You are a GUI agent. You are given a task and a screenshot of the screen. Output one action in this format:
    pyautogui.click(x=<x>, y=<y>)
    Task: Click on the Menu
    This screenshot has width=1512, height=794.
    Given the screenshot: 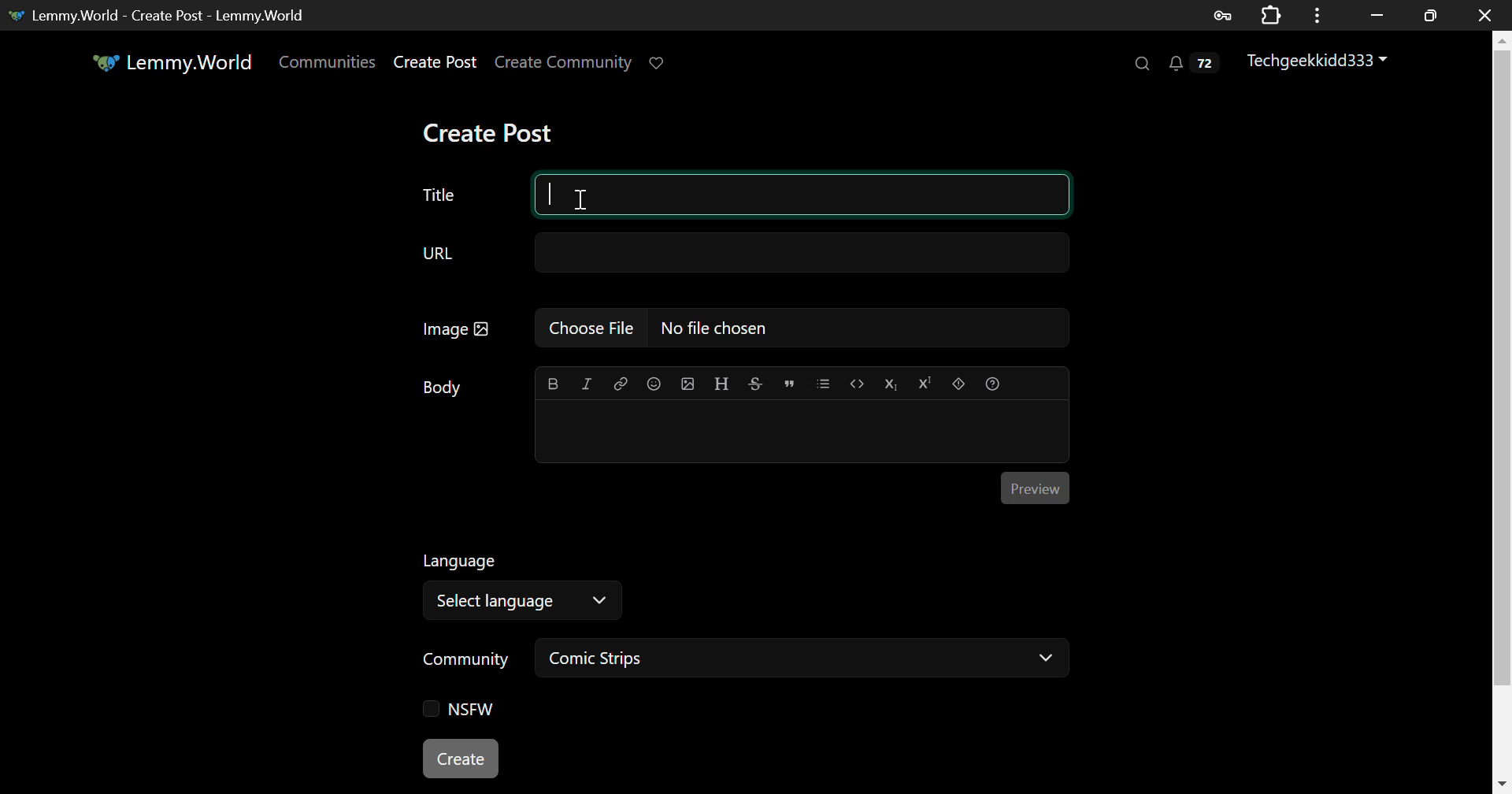 What is the action you would take?
    pyautogui.click(x=1322, y=14)
    